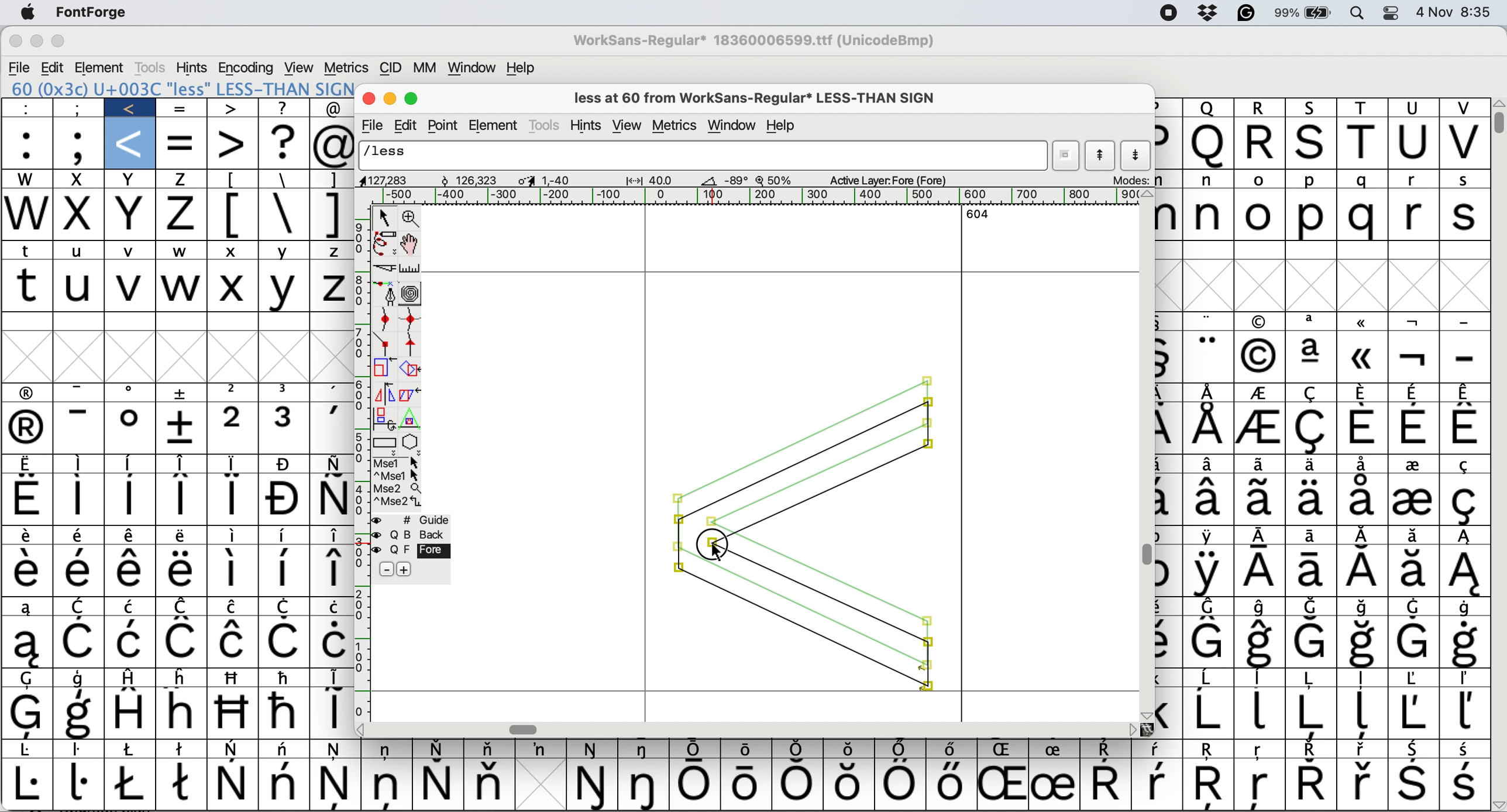  I want to click on Symbol, so click(83, 677).